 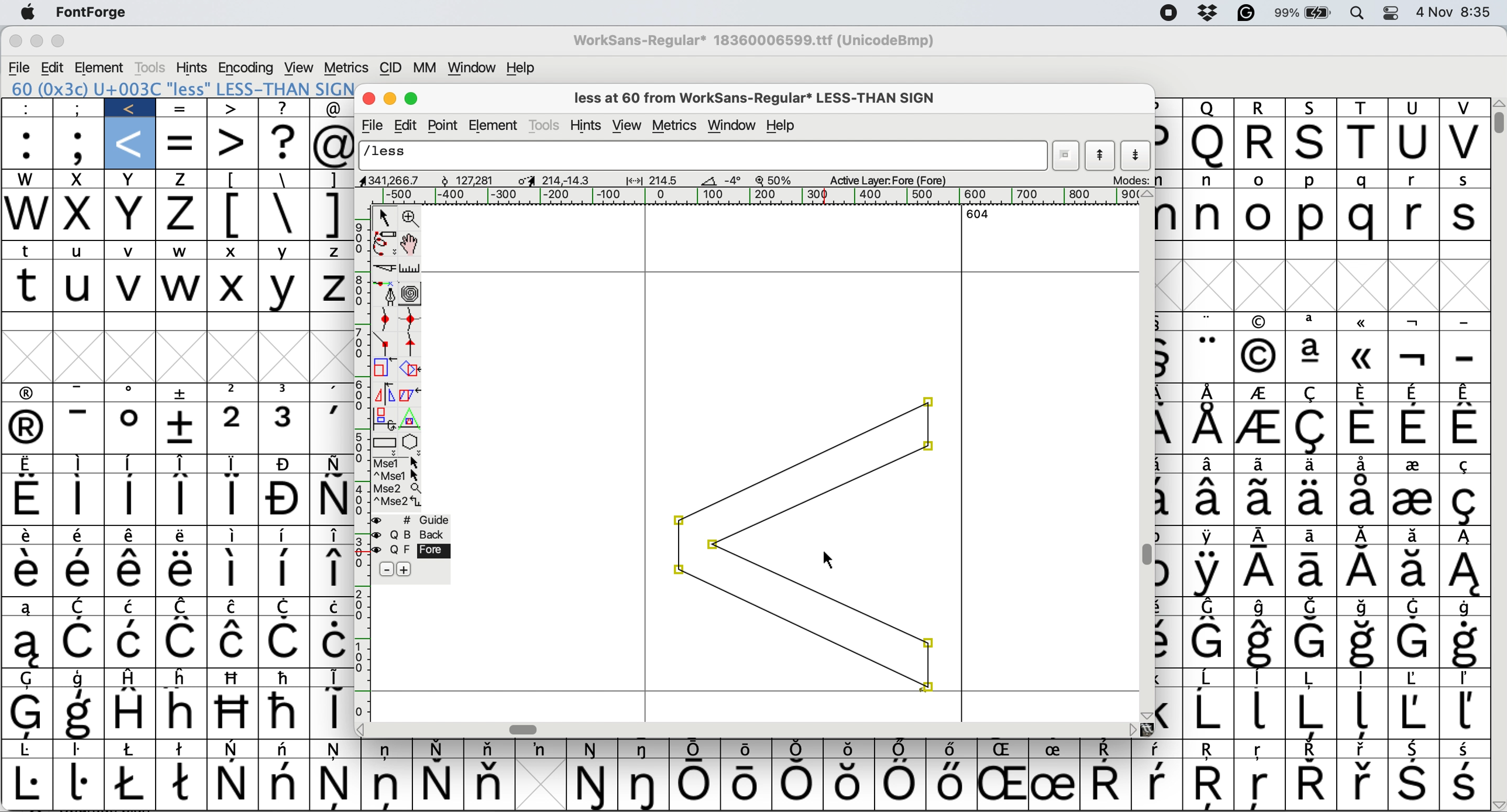 I want to click on Symbol, so click(x=179, y=428).